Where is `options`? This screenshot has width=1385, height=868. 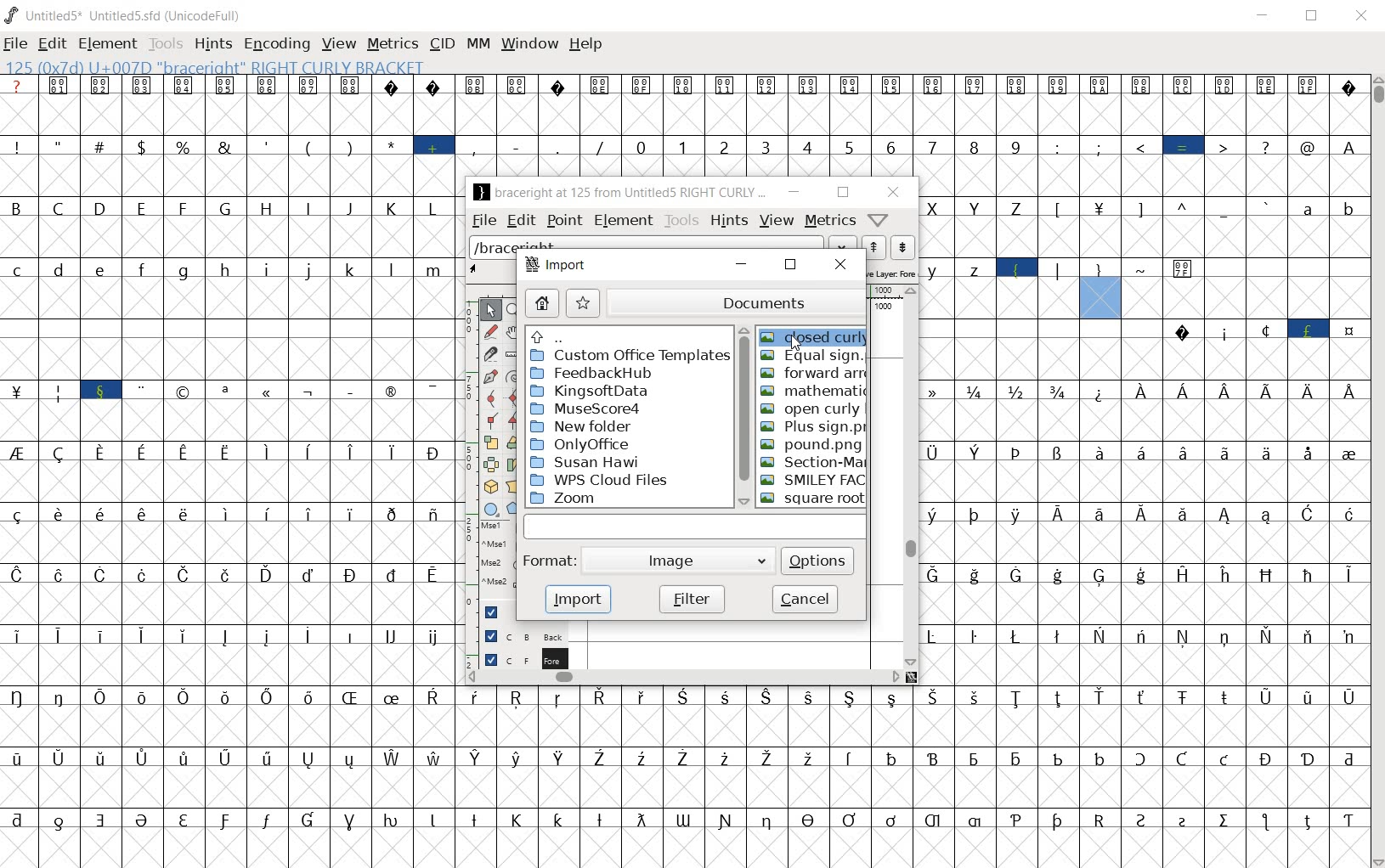
options is located at coordinates (818, 561).